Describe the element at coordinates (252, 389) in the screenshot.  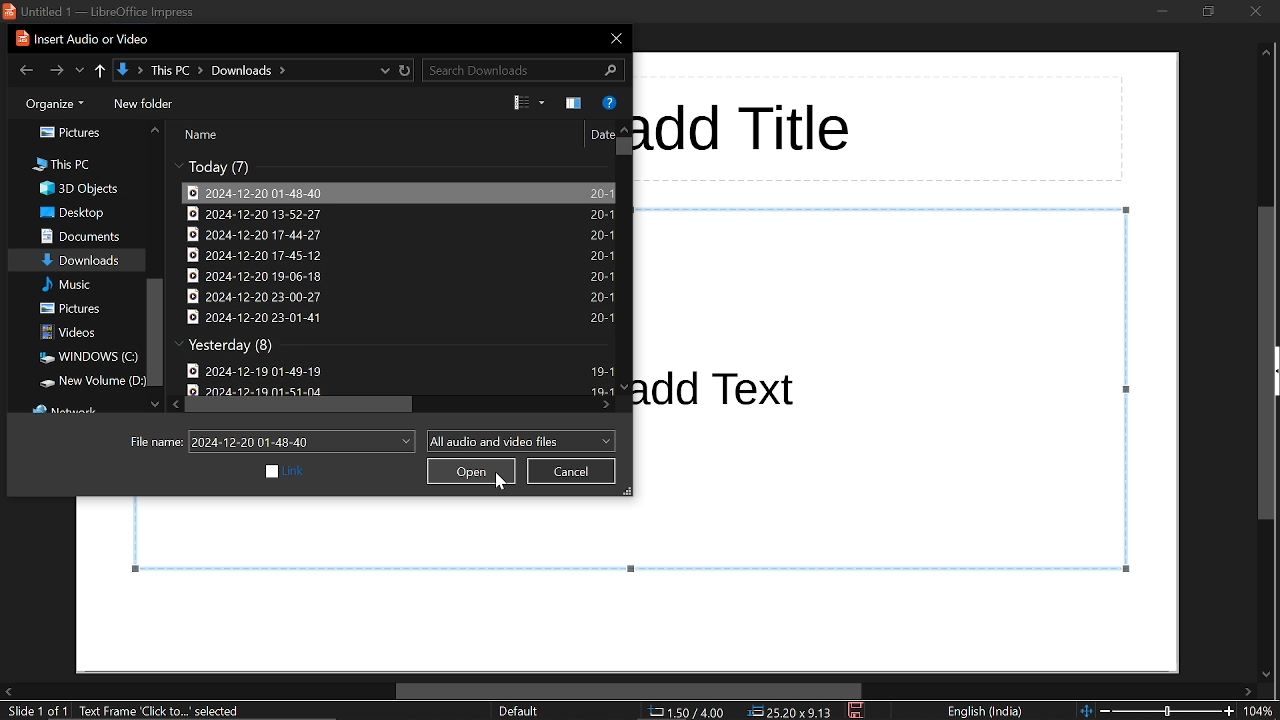
I see `date` at that location.